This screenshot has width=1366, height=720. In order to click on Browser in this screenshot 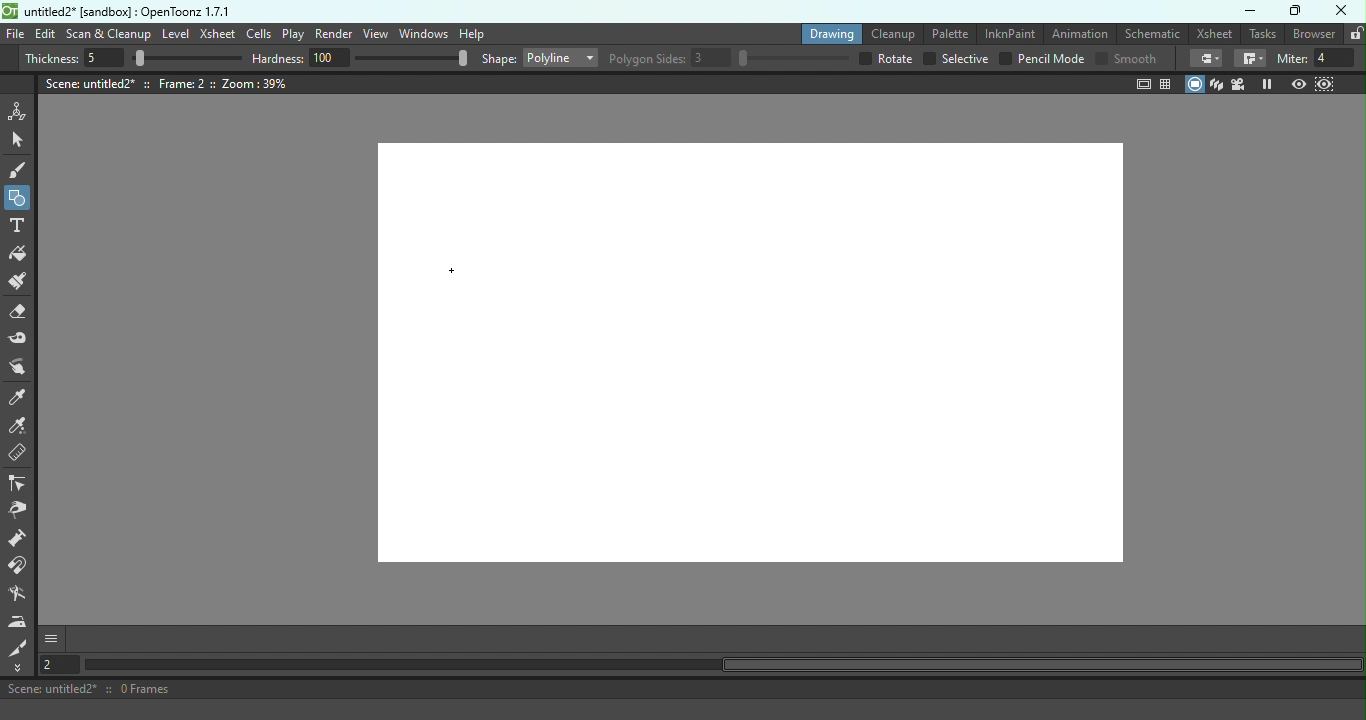, I will do `click(1315, 34)`.